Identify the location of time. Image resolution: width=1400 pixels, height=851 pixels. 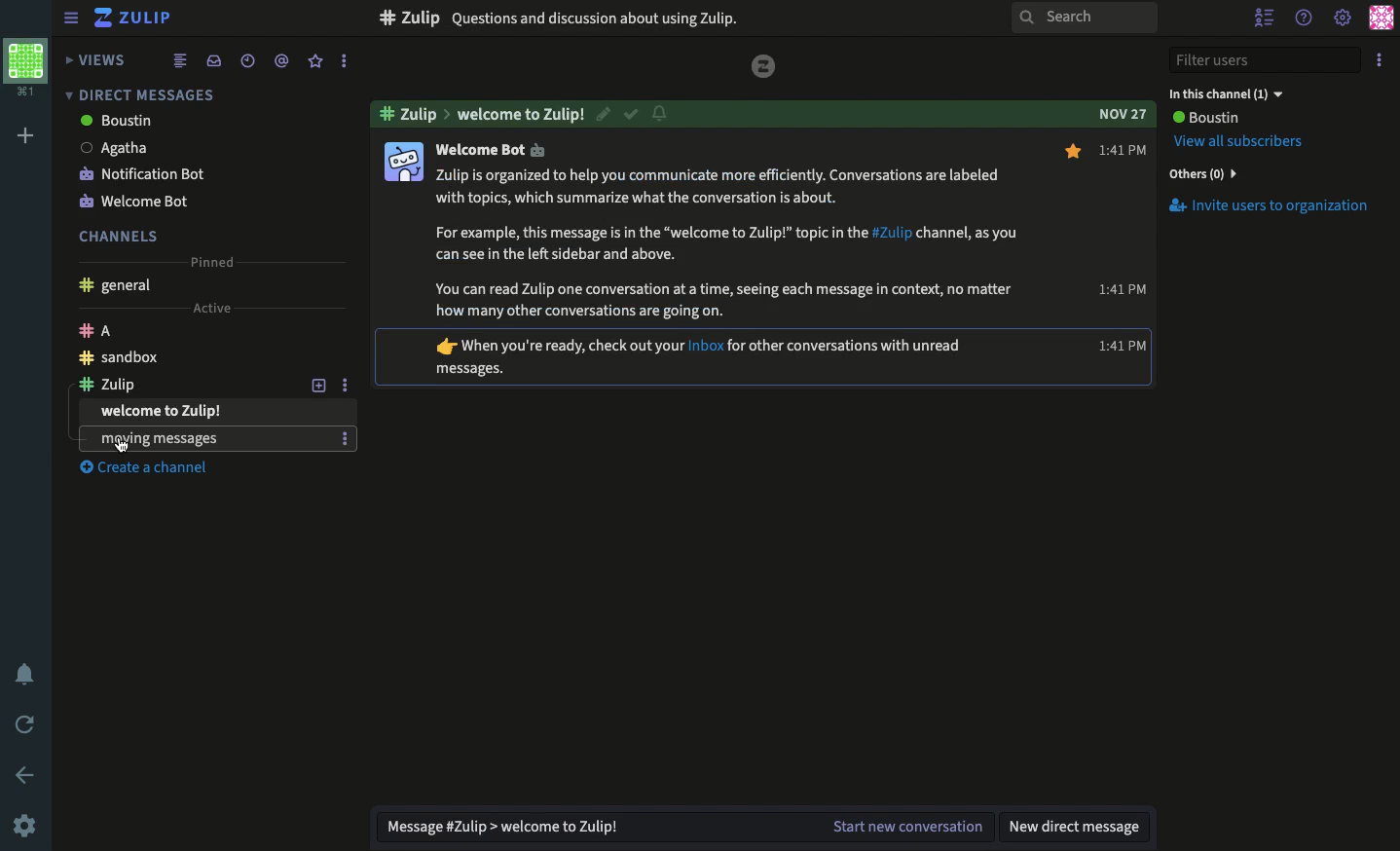
(1123, 289).